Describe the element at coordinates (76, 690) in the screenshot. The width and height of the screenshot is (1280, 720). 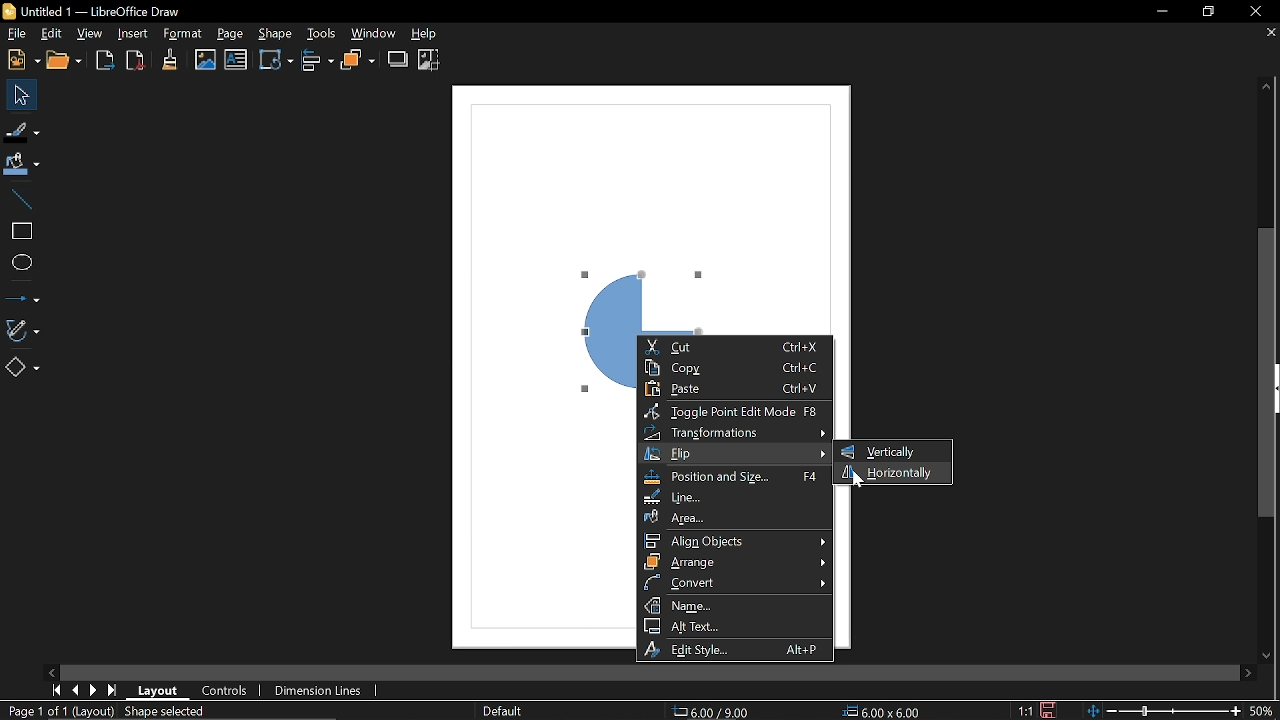
I see `Previous page` at that location.